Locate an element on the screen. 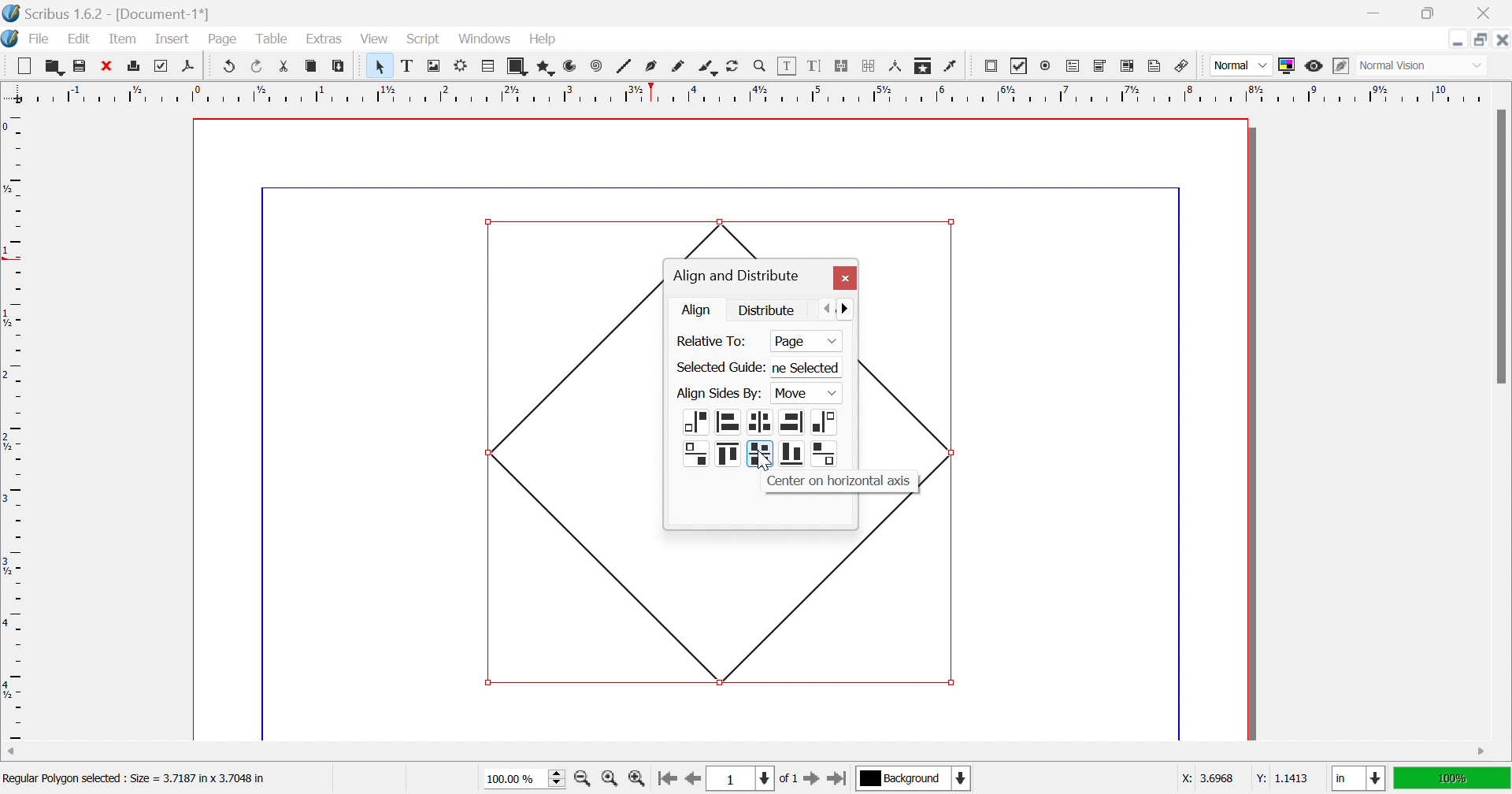 The image size is (1512, 794). Align Sides By: is located at coordinates (719, 394).